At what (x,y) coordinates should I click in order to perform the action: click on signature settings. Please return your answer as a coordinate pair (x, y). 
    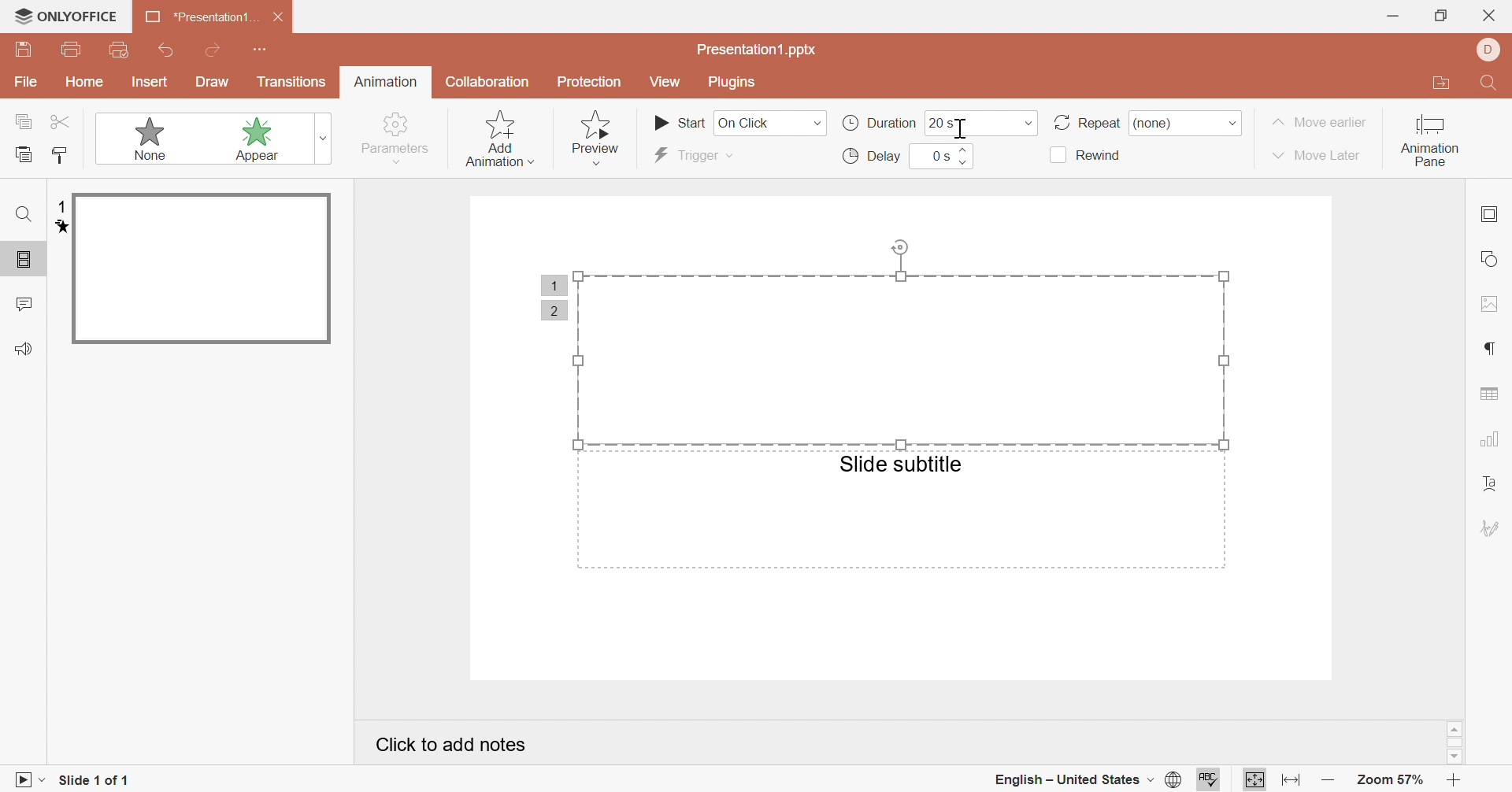
    Looking at the image, I should click on (1491, 527).